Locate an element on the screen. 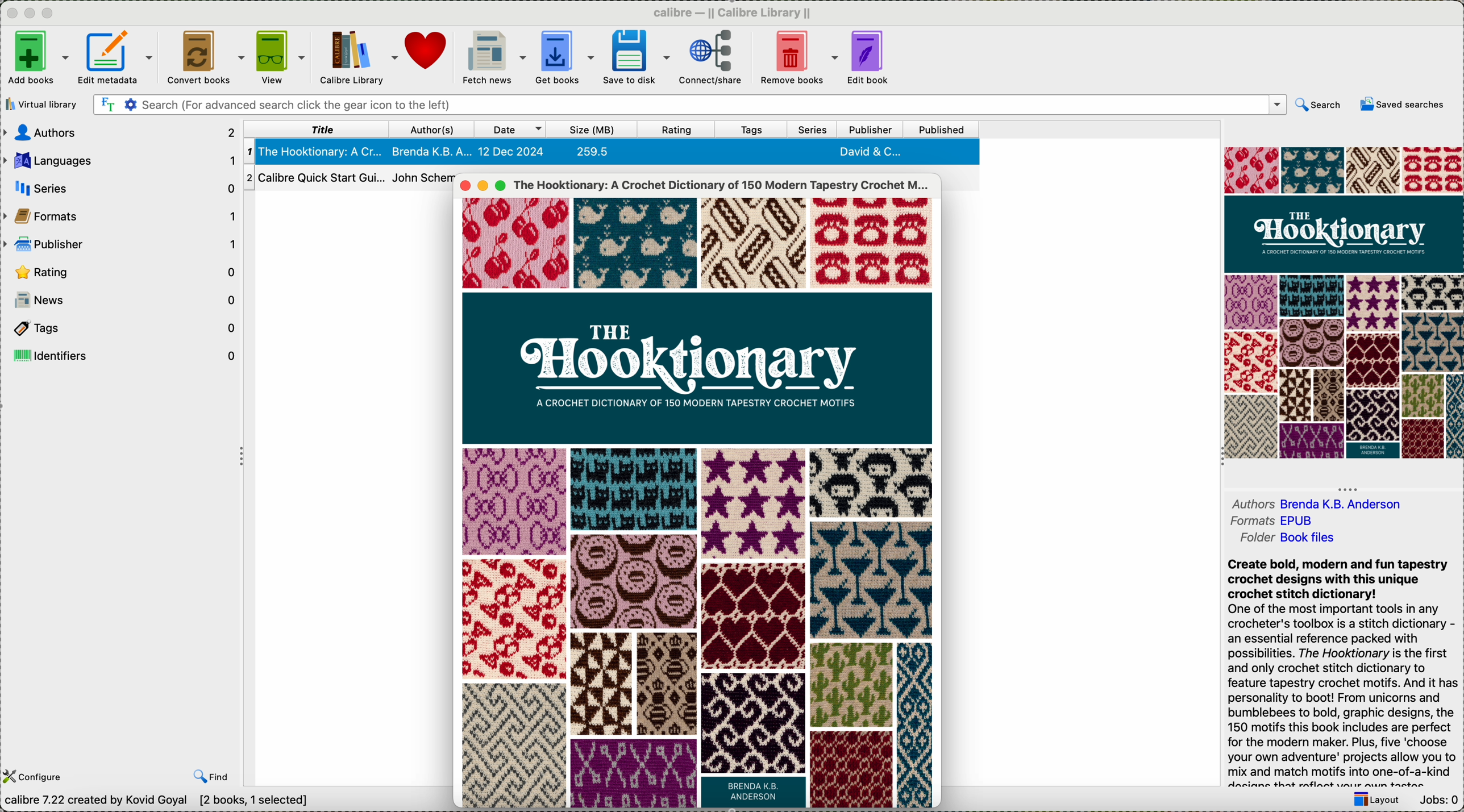  publisher is located at coordinates (123, 244).